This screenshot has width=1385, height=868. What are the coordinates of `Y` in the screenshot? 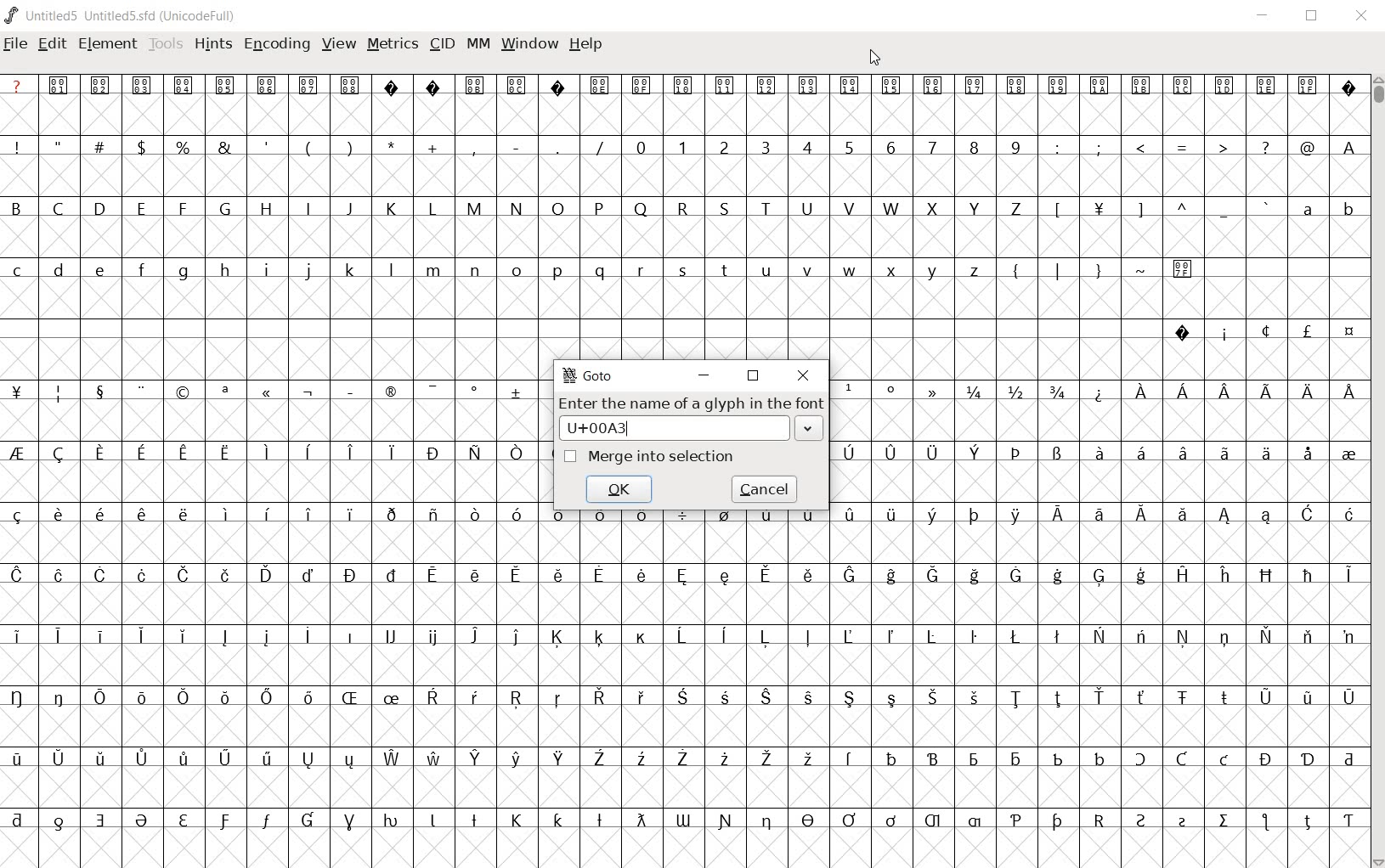 It's located at (973, 208).